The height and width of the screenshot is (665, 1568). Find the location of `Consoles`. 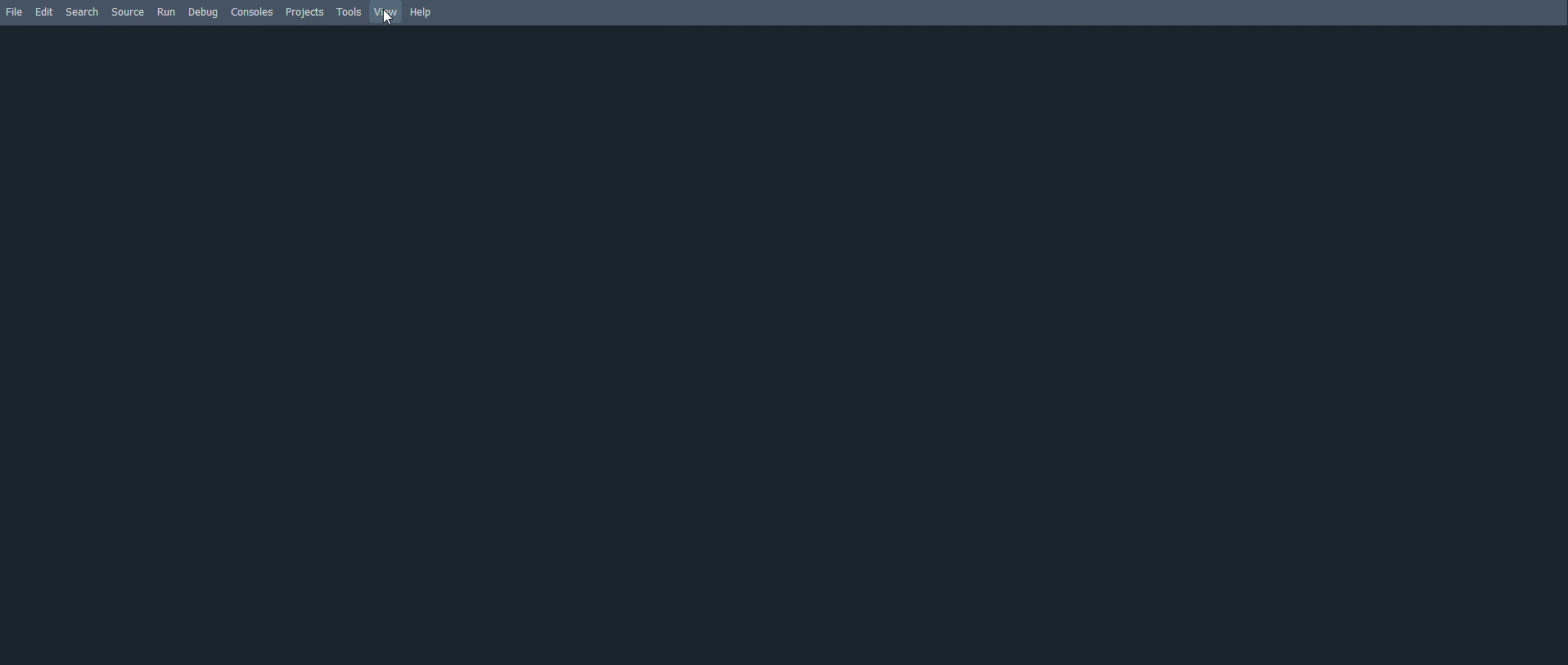

Consoles is located at coordinates (254, 13).